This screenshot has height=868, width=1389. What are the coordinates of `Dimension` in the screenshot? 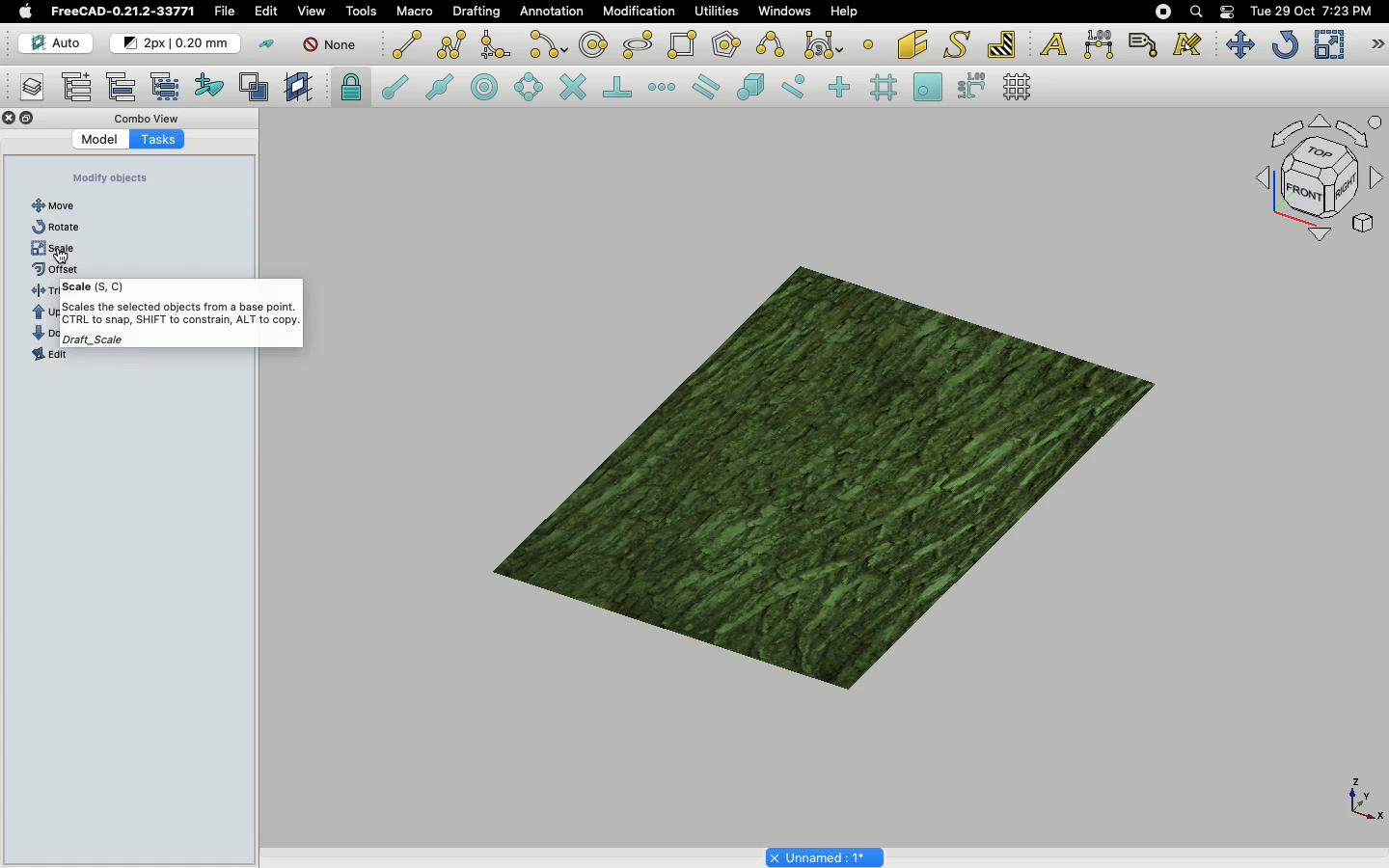 It's located at (67, 353).